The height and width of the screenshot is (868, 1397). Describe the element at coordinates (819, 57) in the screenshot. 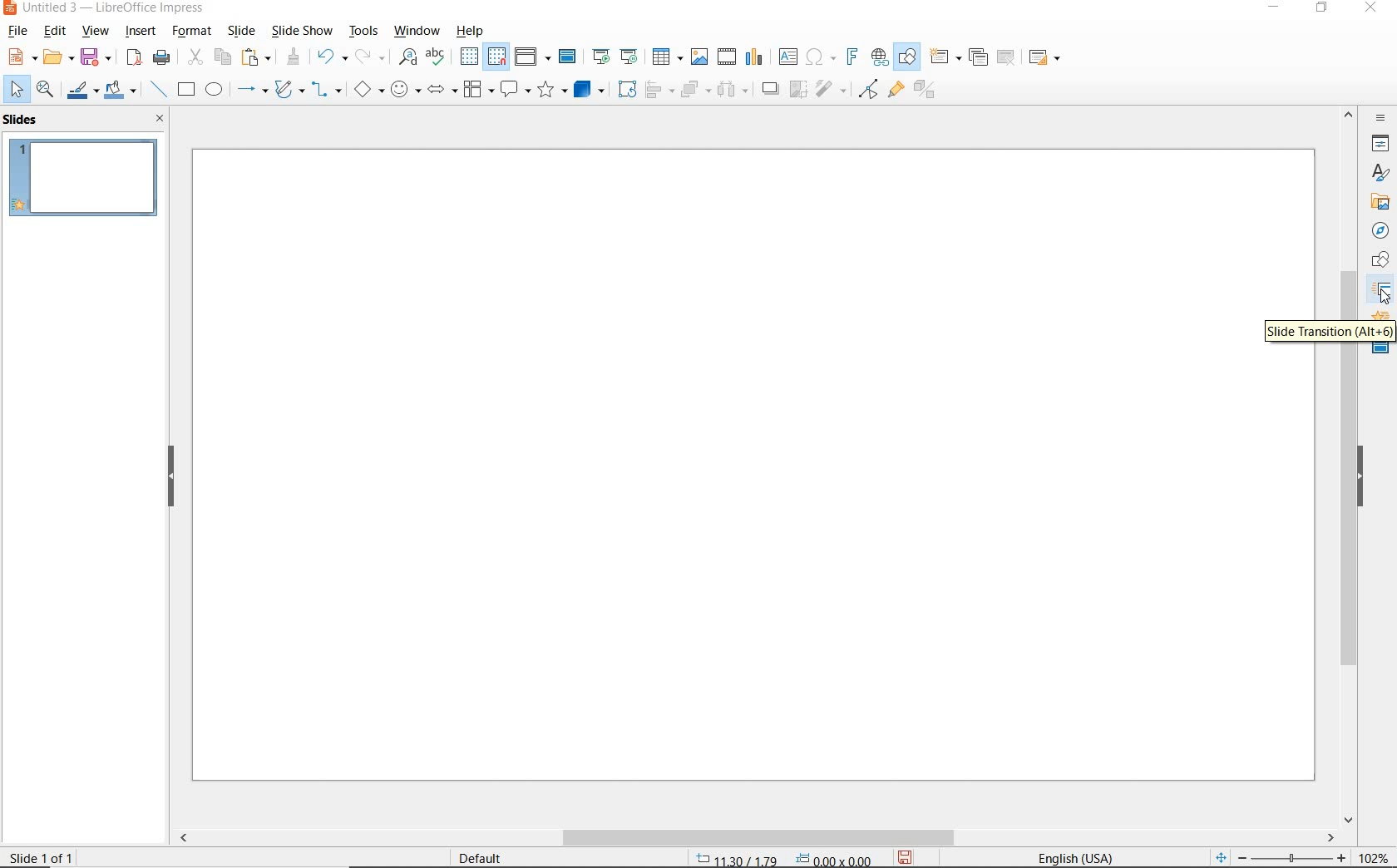

I see `INSERT SPECIAL CHARACTERS` at that location.